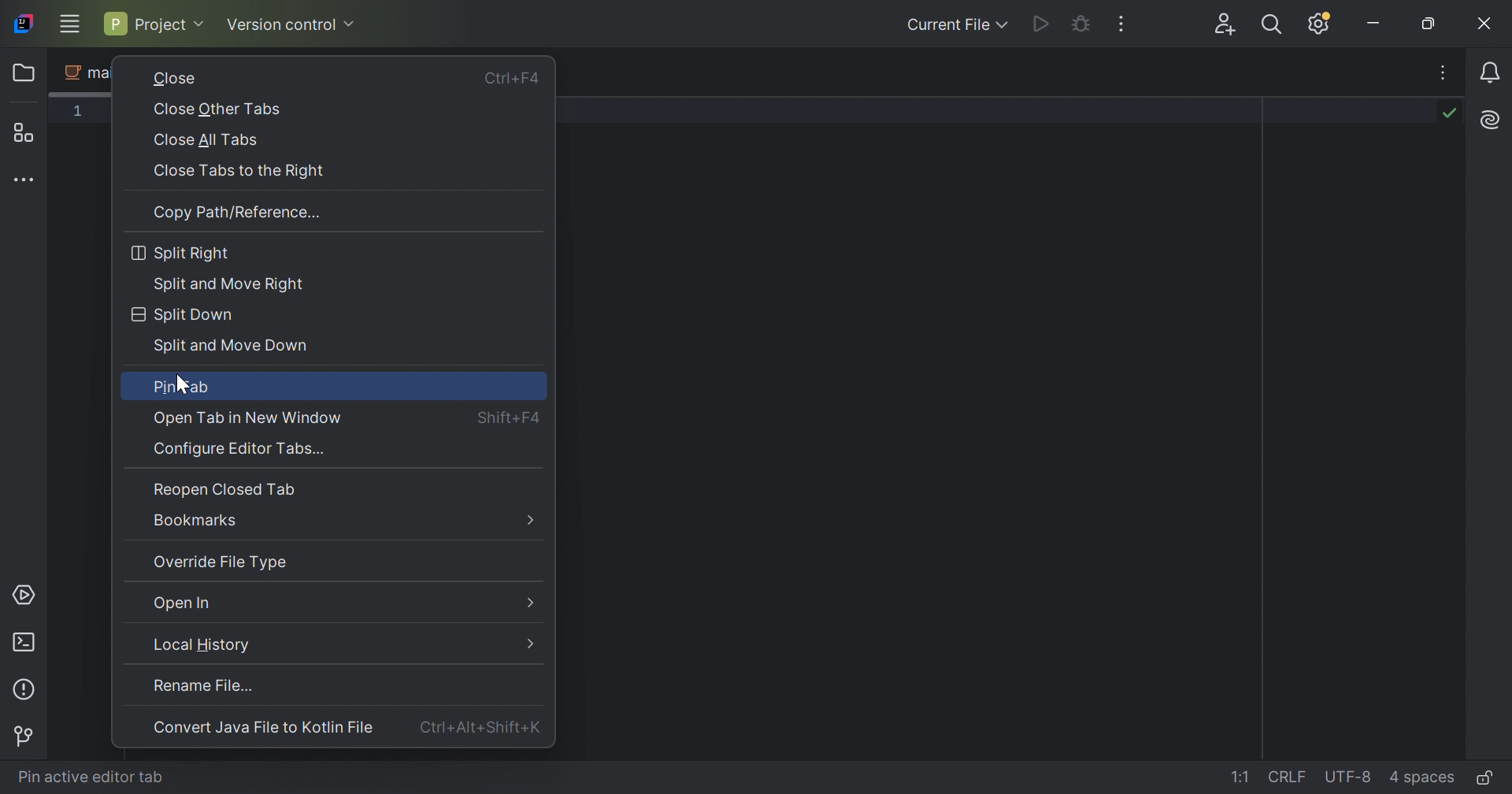 This screenshot has height=794, width=1512. I want to click on cursor, so click(183, 384).